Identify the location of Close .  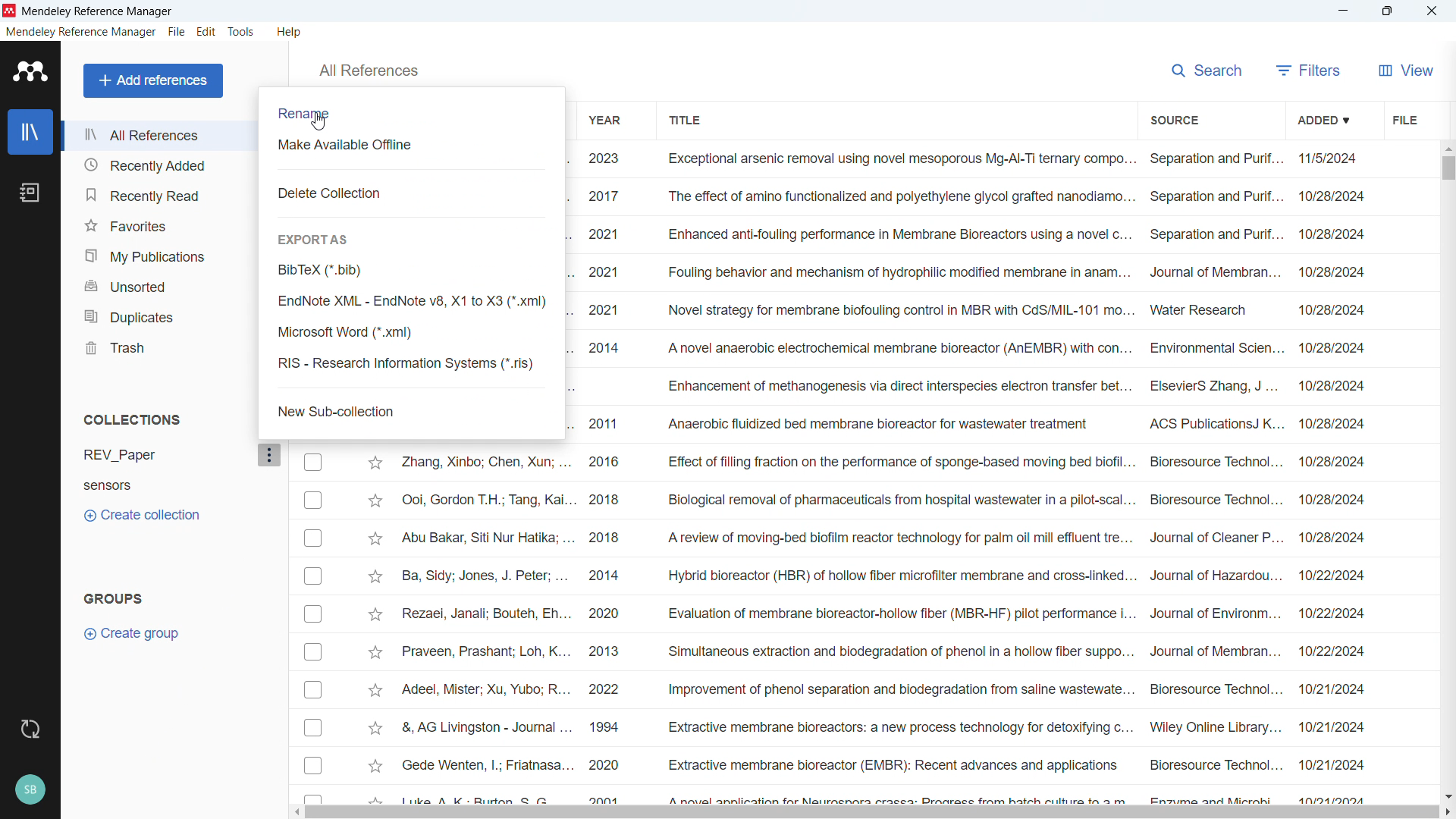
(1432, 11).